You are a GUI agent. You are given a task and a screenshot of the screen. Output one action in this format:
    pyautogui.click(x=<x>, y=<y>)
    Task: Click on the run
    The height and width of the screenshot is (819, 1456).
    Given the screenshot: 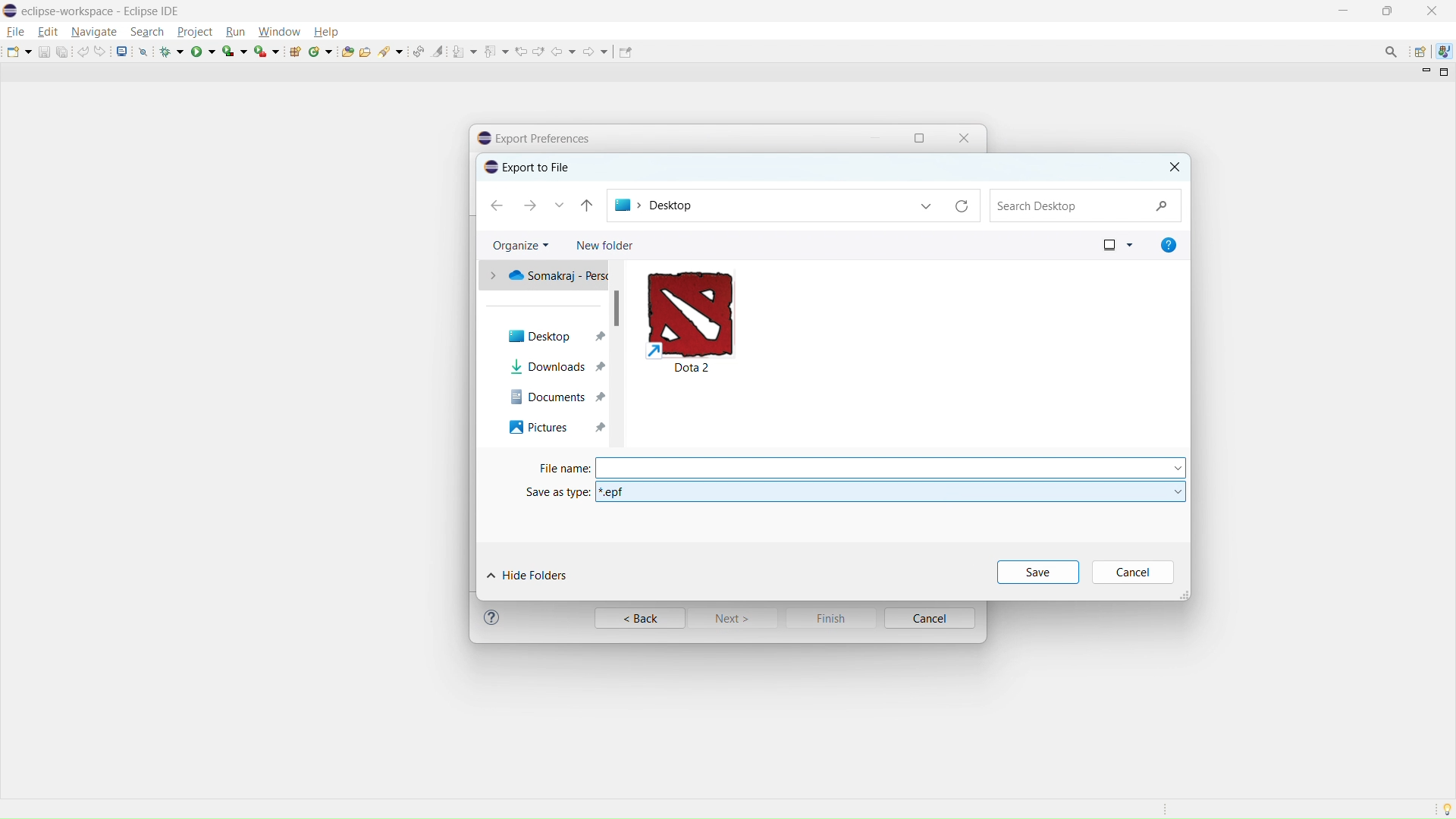 What is the action you would take?
    pyautogui.click(x=203, y=52)
    